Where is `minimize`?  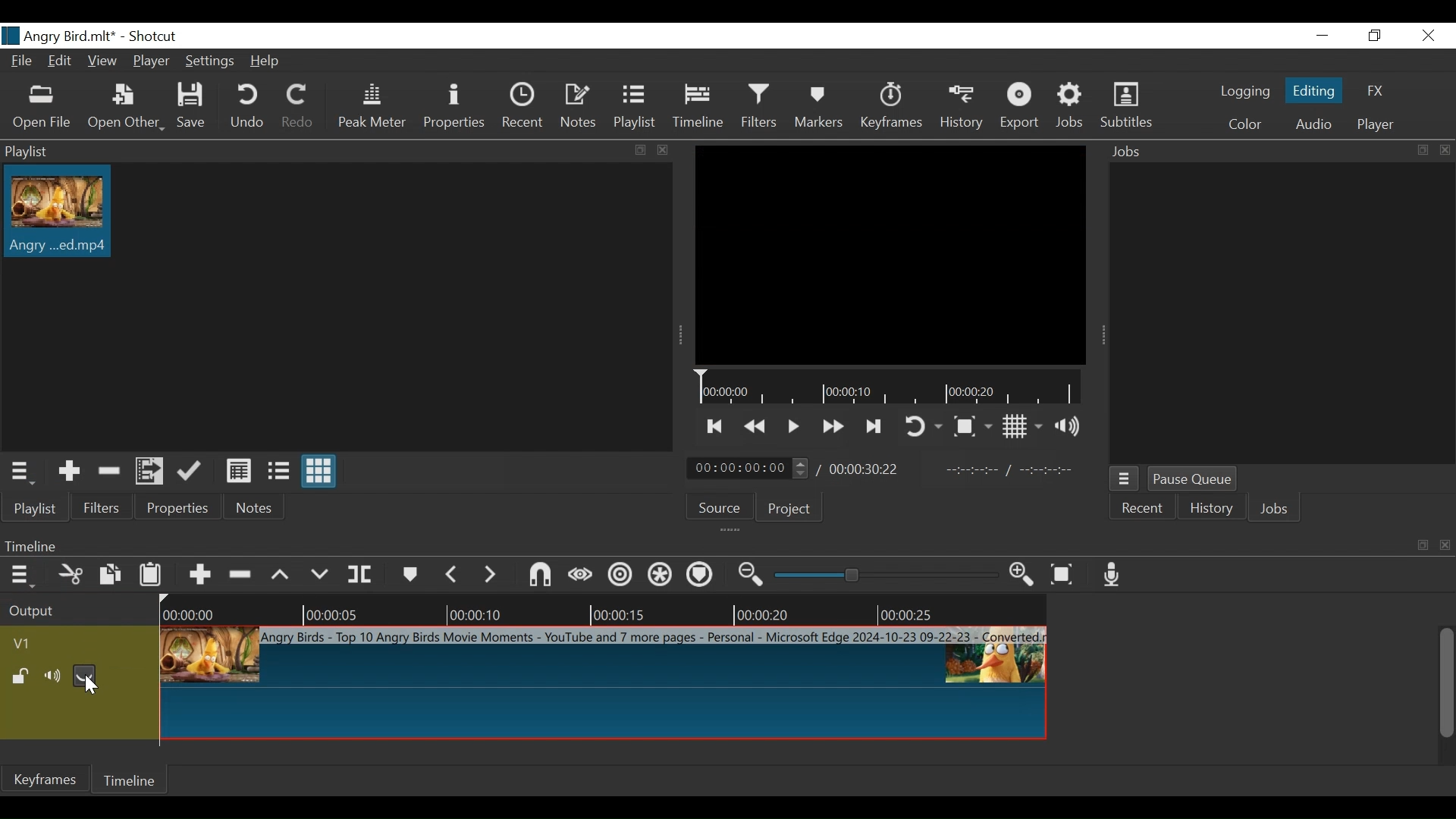 minimize is located at coordinates (1323, 35).